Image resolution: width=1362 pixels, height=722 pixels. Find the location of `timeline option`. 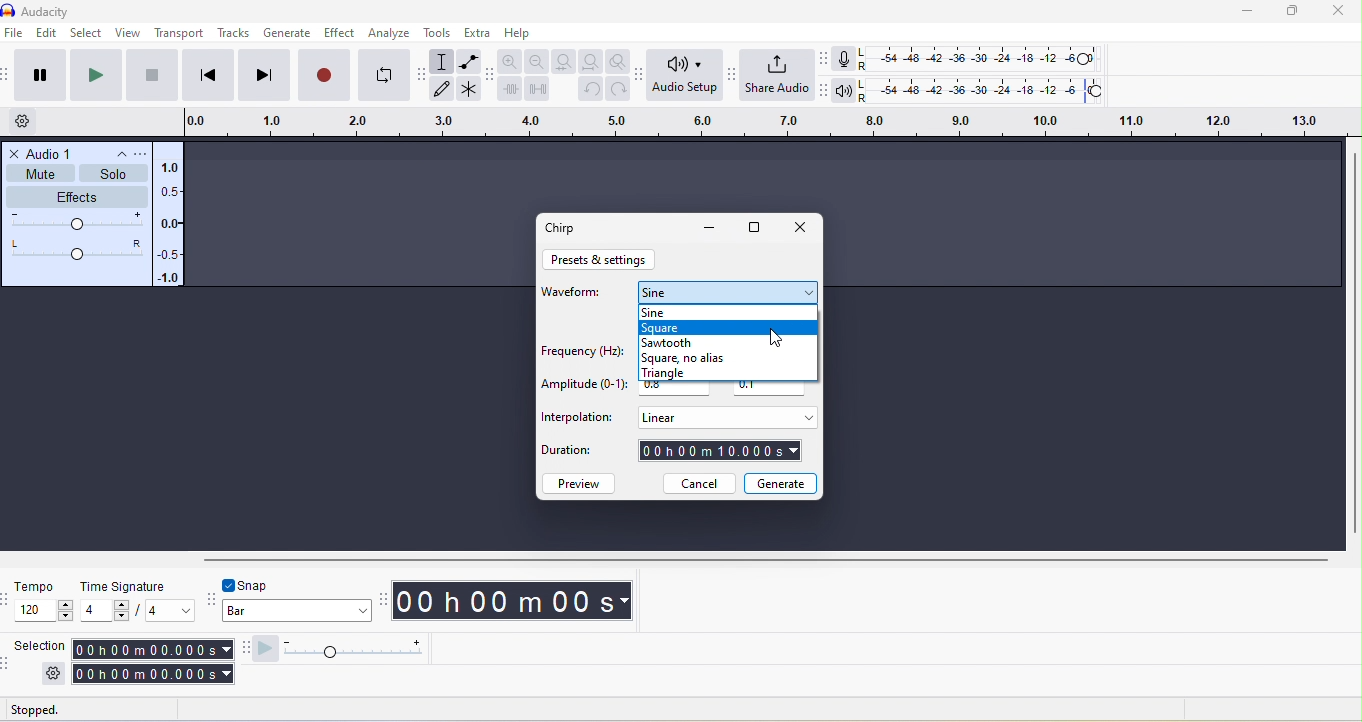

timeline option is located at coordinates (31, 121).